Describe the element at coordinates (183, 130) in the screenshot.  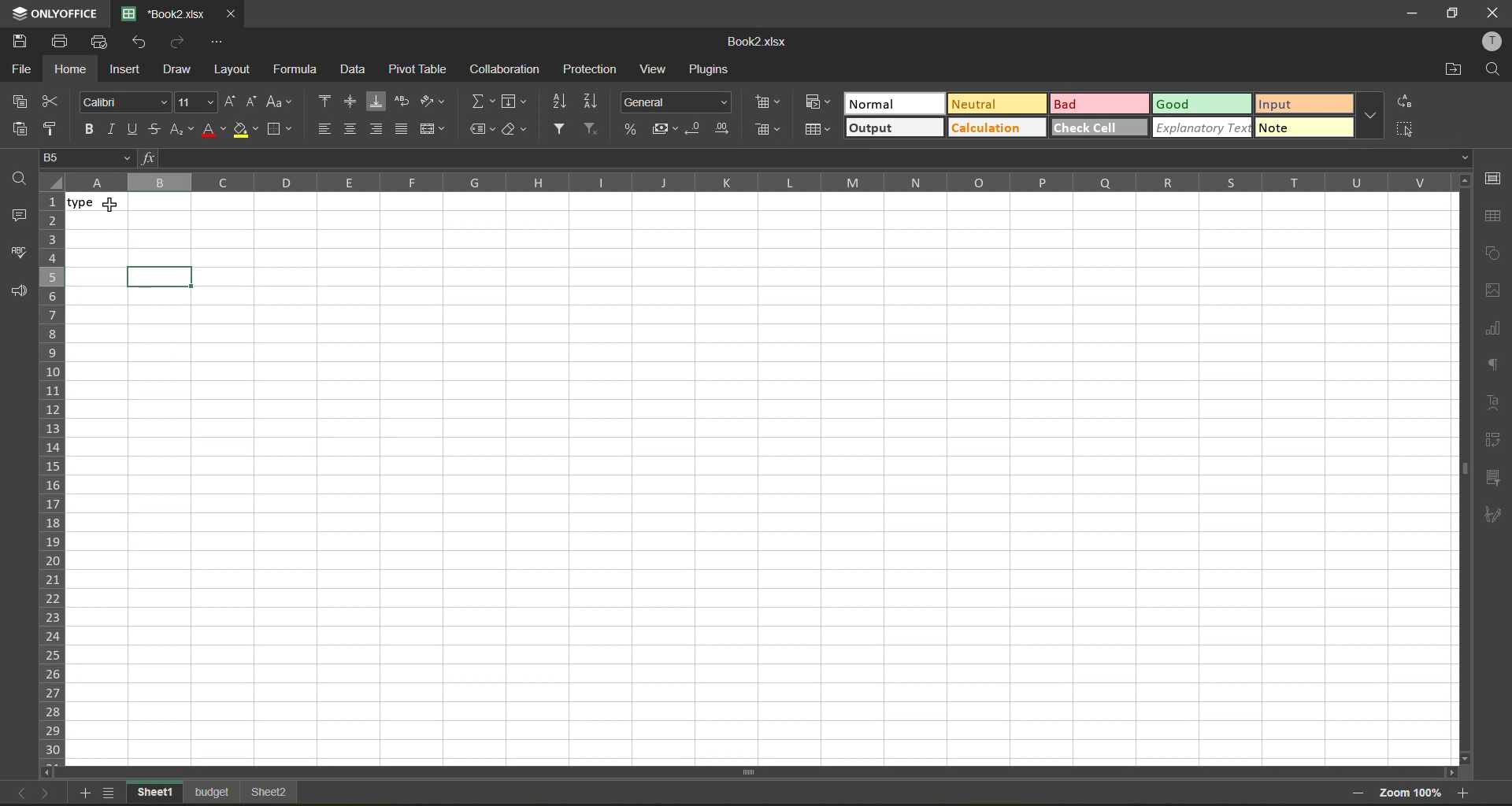
I see `sub/superscript` at that location.